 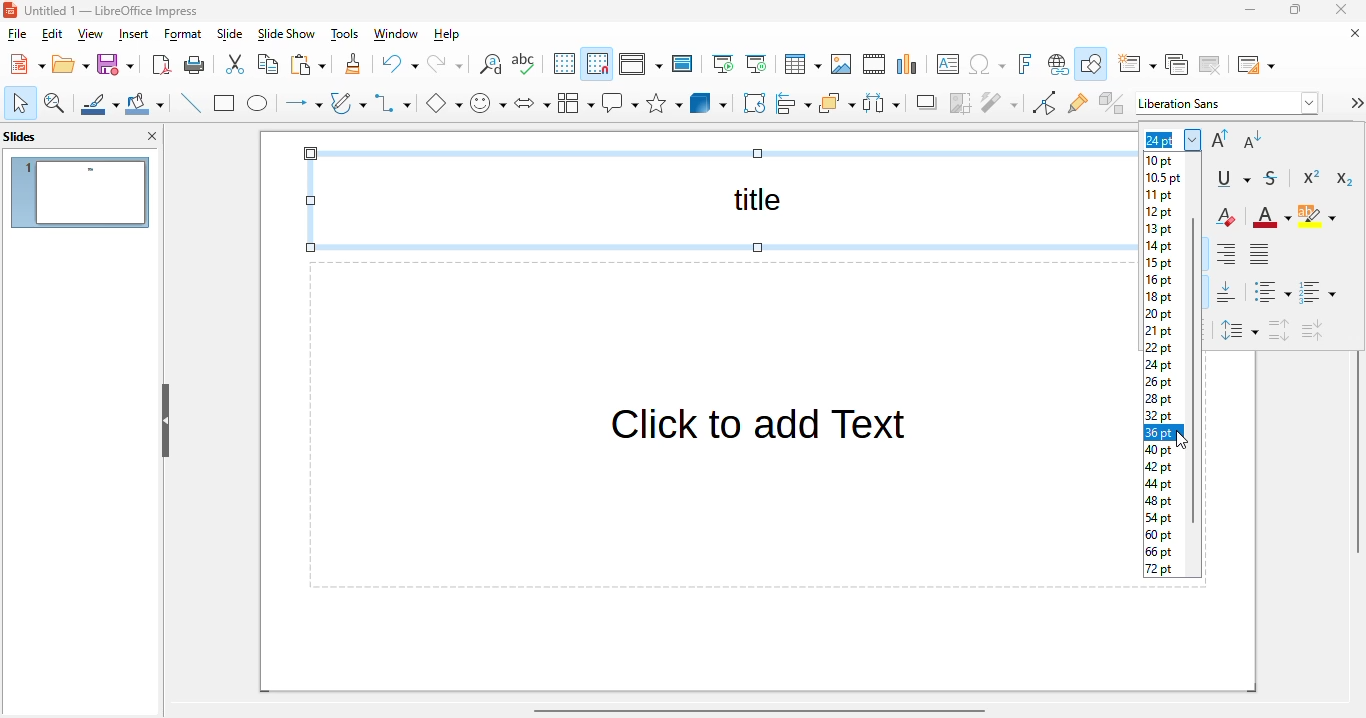 I want to click on decrease paragraph spacing, so click(x=1312, y=331).